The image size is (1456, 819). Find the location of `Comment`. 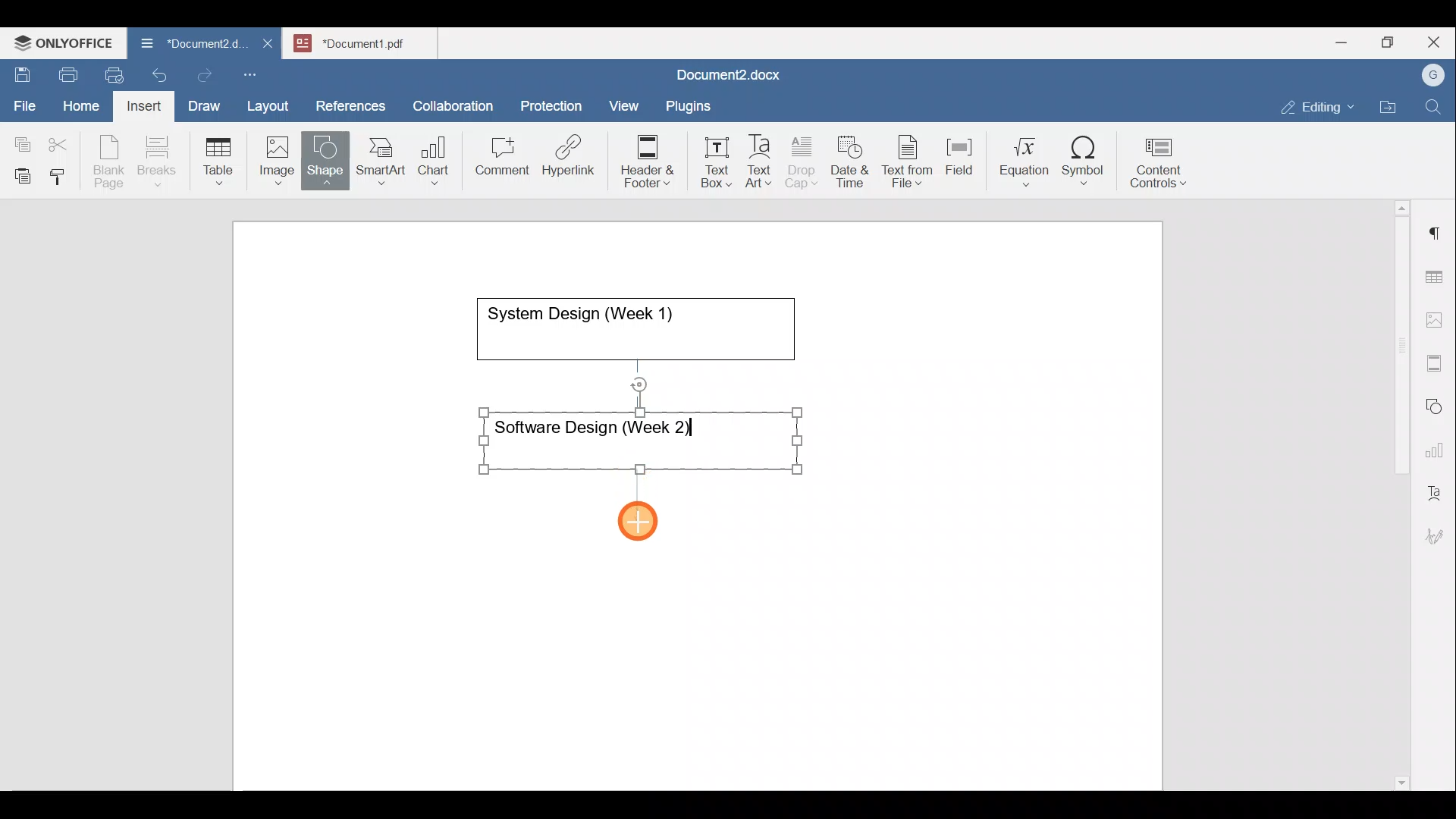

Comment is located at coordinates (497, 160).